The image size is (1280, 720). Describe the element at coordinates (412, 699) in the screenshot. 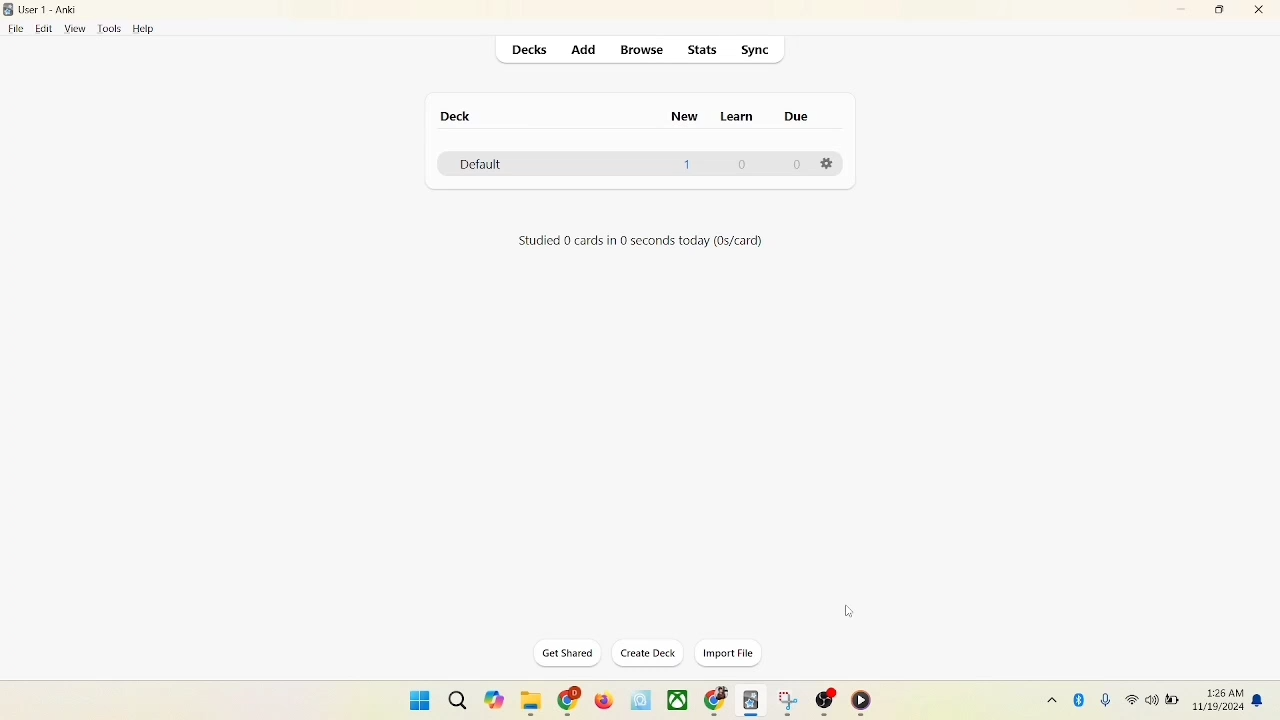

I see `window` at that location.